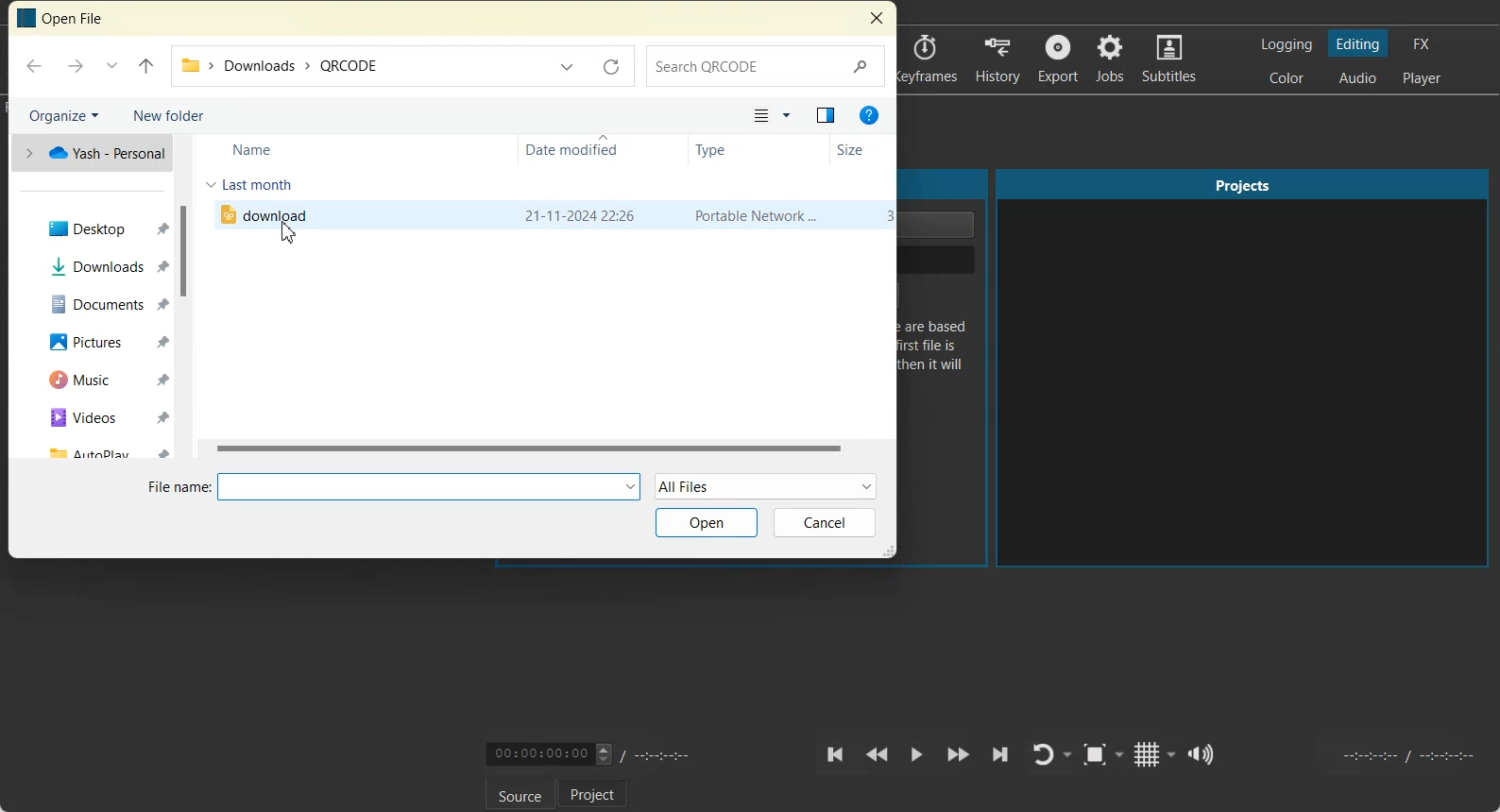  I want to click on Go Back, so click(36, 65).